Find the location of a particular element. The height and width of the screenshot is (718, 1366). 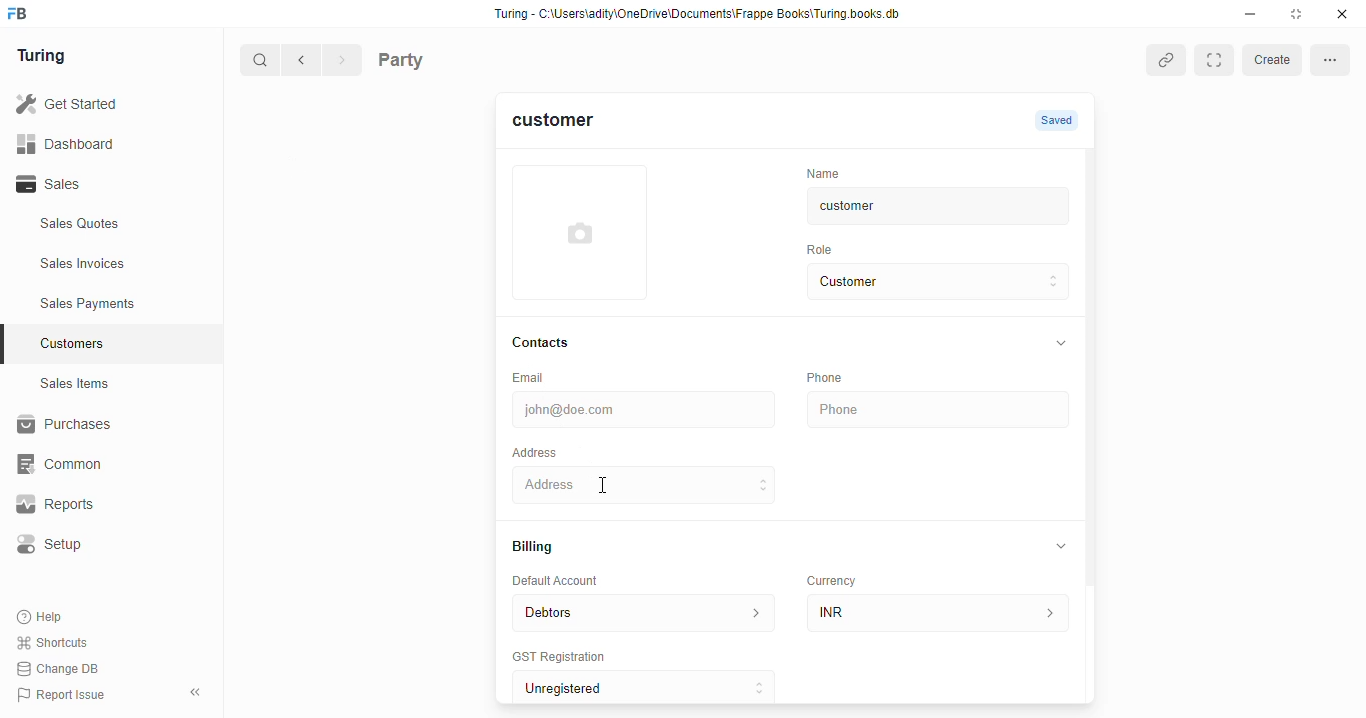

Dashboard is located at coordinates (95, 143).